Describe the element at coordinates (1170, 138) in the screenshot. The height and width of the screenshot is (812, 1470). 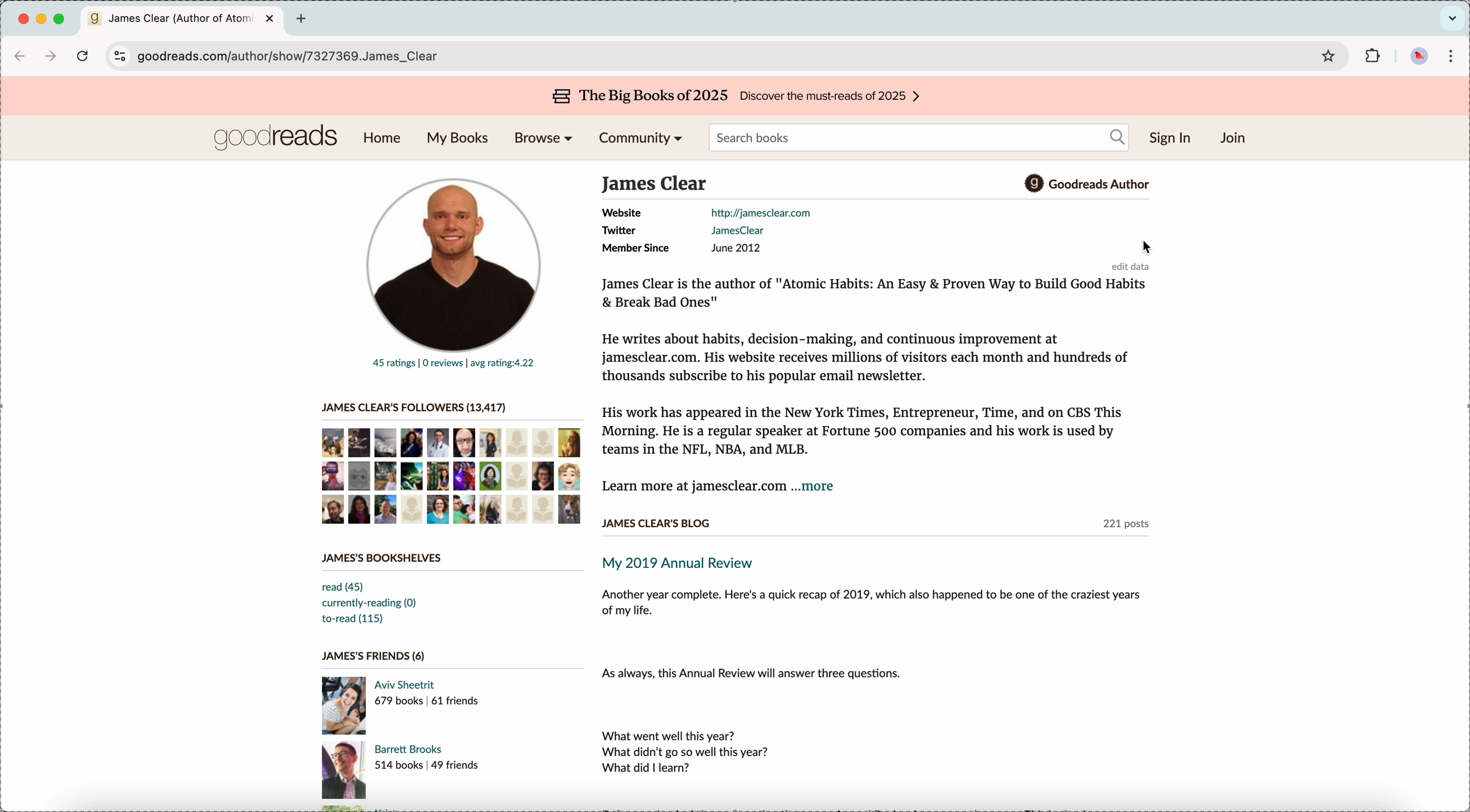
I see `sign in` at that location.